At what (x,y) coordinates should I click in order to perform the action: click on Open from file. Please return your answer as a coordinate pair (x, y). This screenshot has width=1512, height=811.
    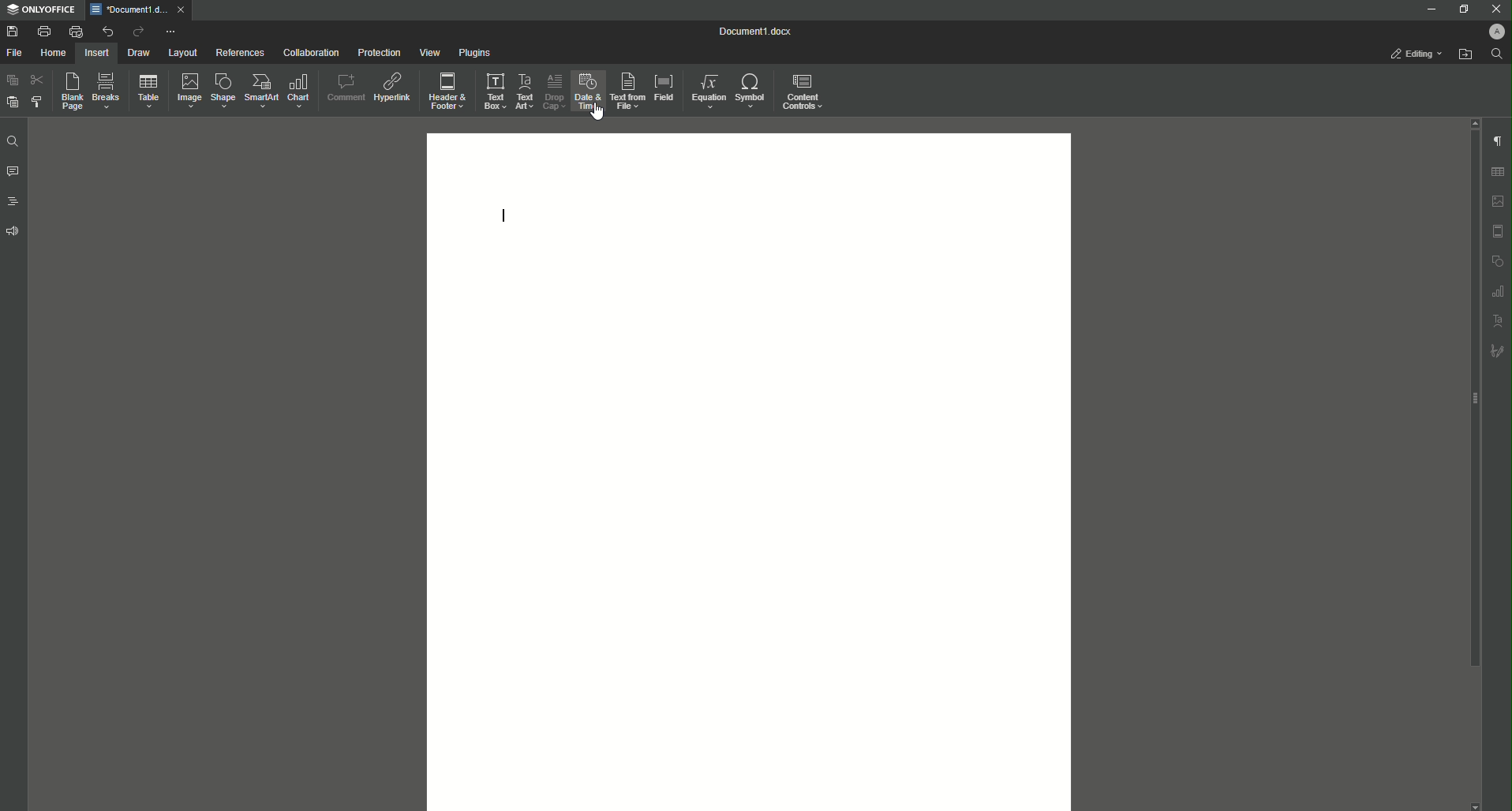
    Looking at the image, I should click on (1465, 54).